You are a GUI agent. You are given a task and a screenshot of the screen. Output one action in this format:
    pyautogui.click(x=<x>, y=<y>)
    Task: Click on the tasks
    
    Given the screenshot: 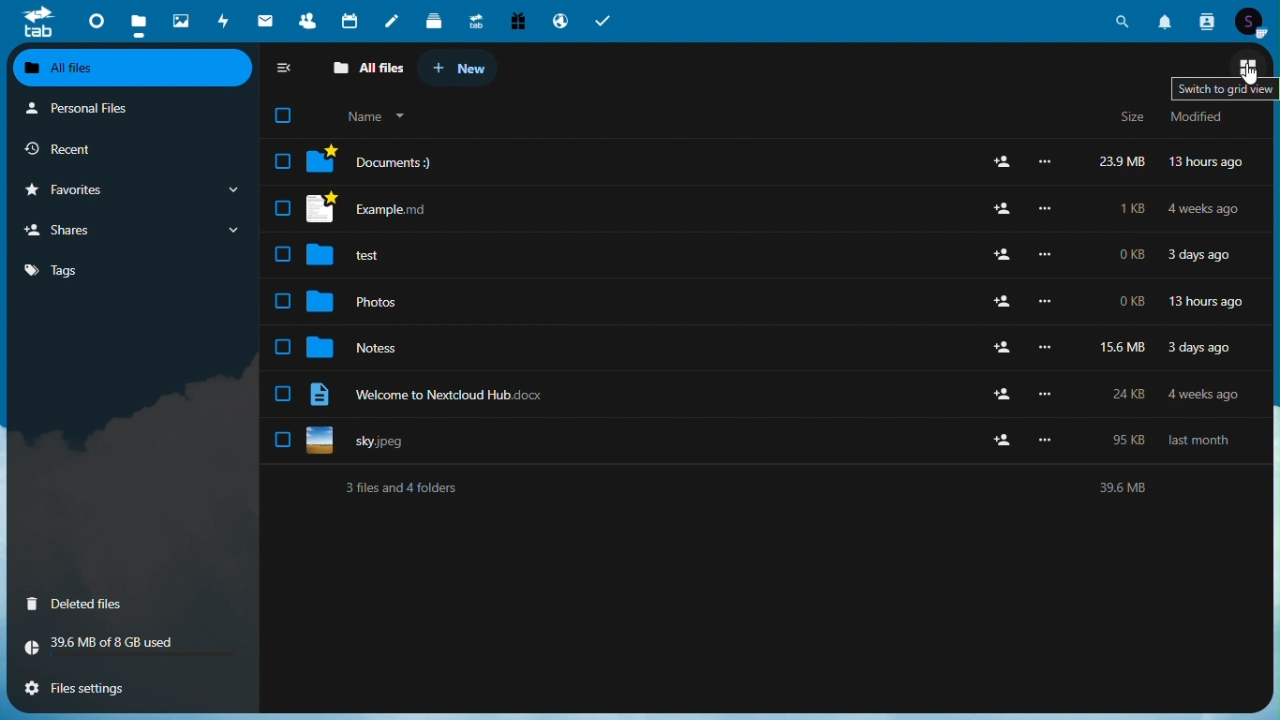 What is the action you would take?
    pyautogui.click(x=603, y=21)
    